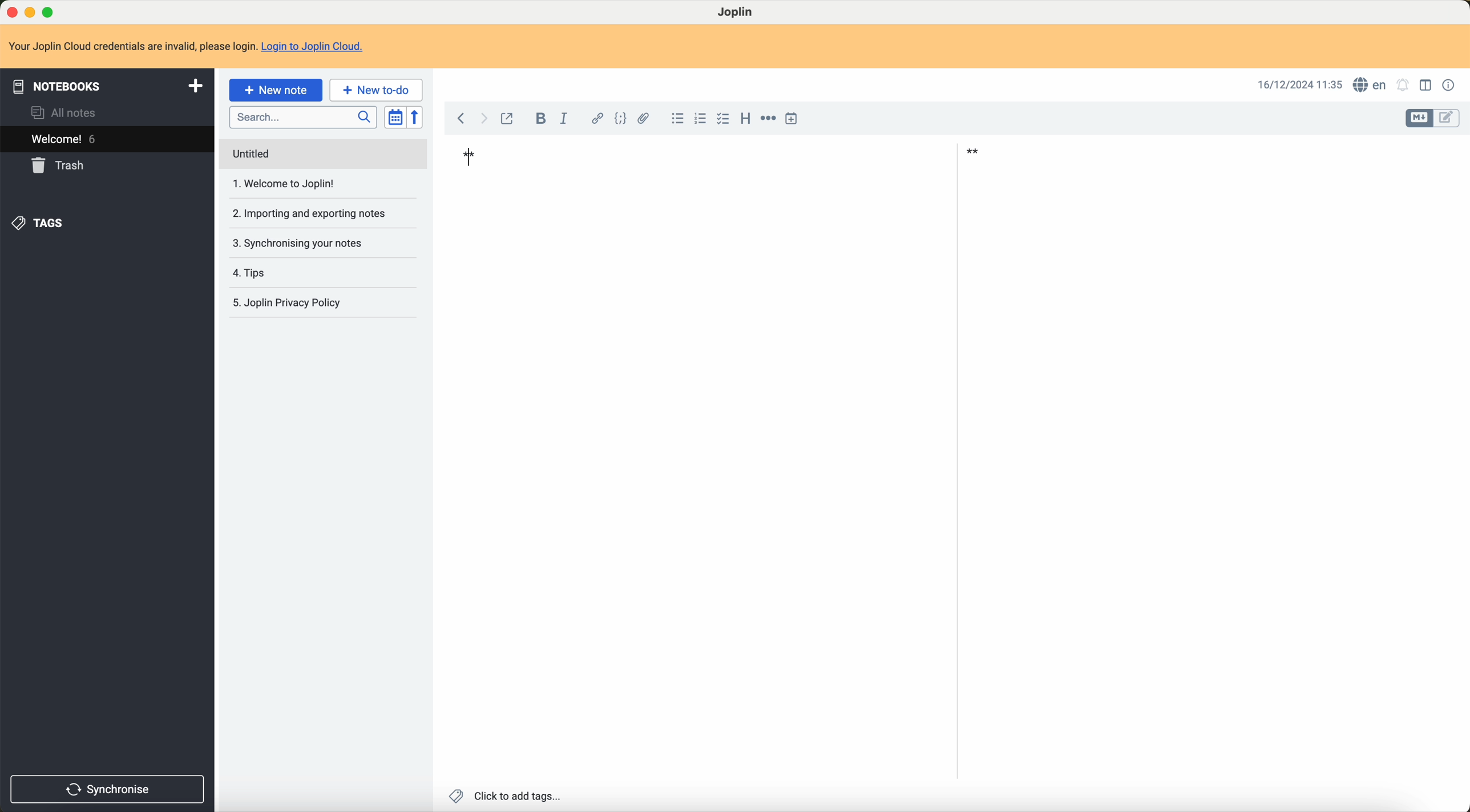 The image size is (1470, 812). I want to click on hyperlink, so click(595, 117).